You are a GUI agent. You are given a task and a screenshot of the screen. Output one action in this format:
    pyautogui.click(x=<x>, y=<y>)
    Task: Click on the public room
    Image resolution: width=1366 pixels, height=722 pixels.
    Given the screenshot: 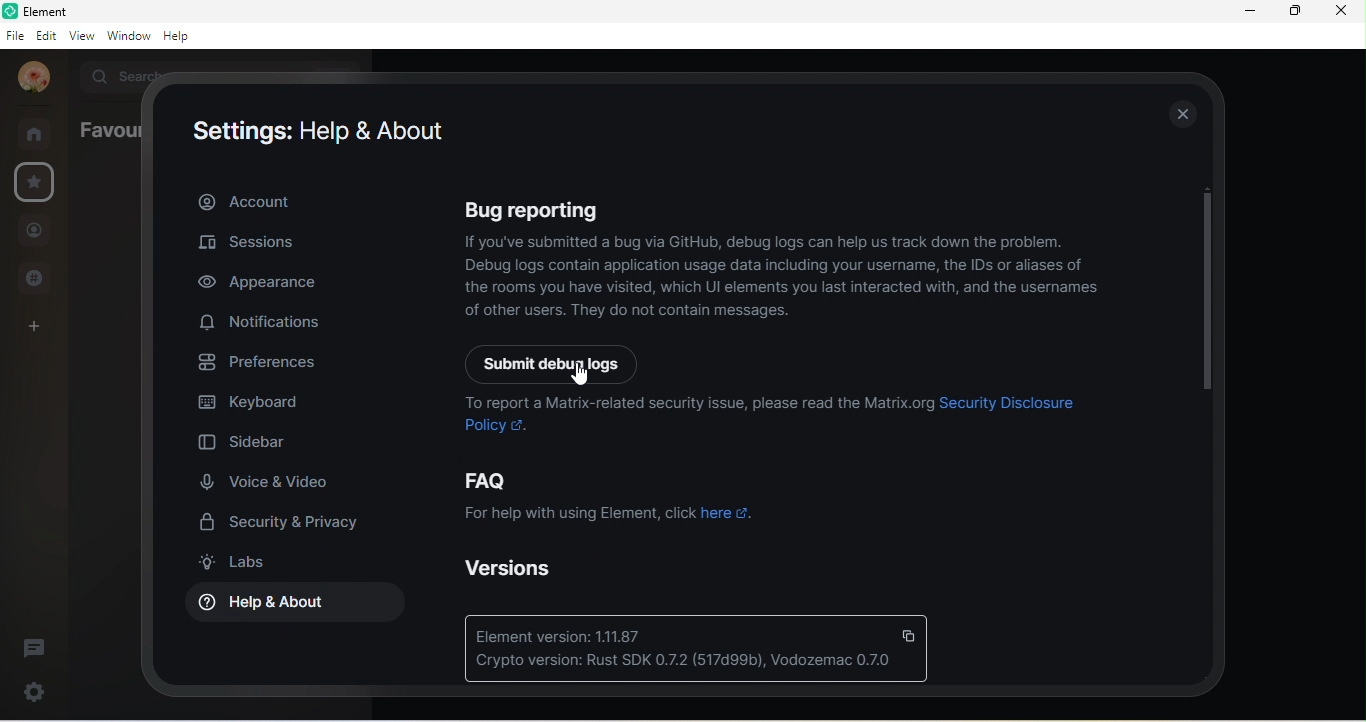 What is the action you would take?
    pyautogui.click(x=33, y=278)
    